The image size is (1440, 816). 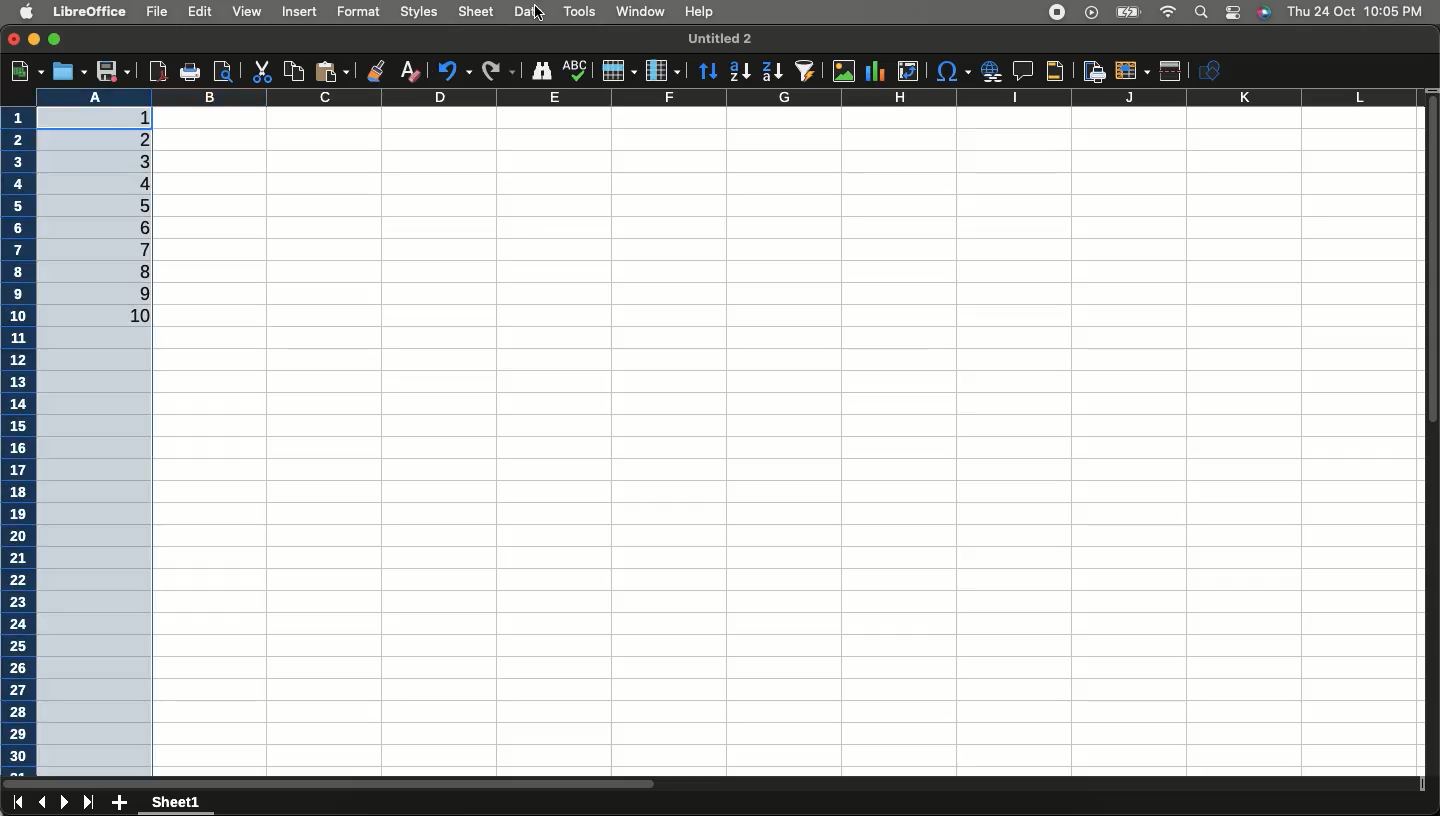 I want to click on Format, so click(x=359, y=10).